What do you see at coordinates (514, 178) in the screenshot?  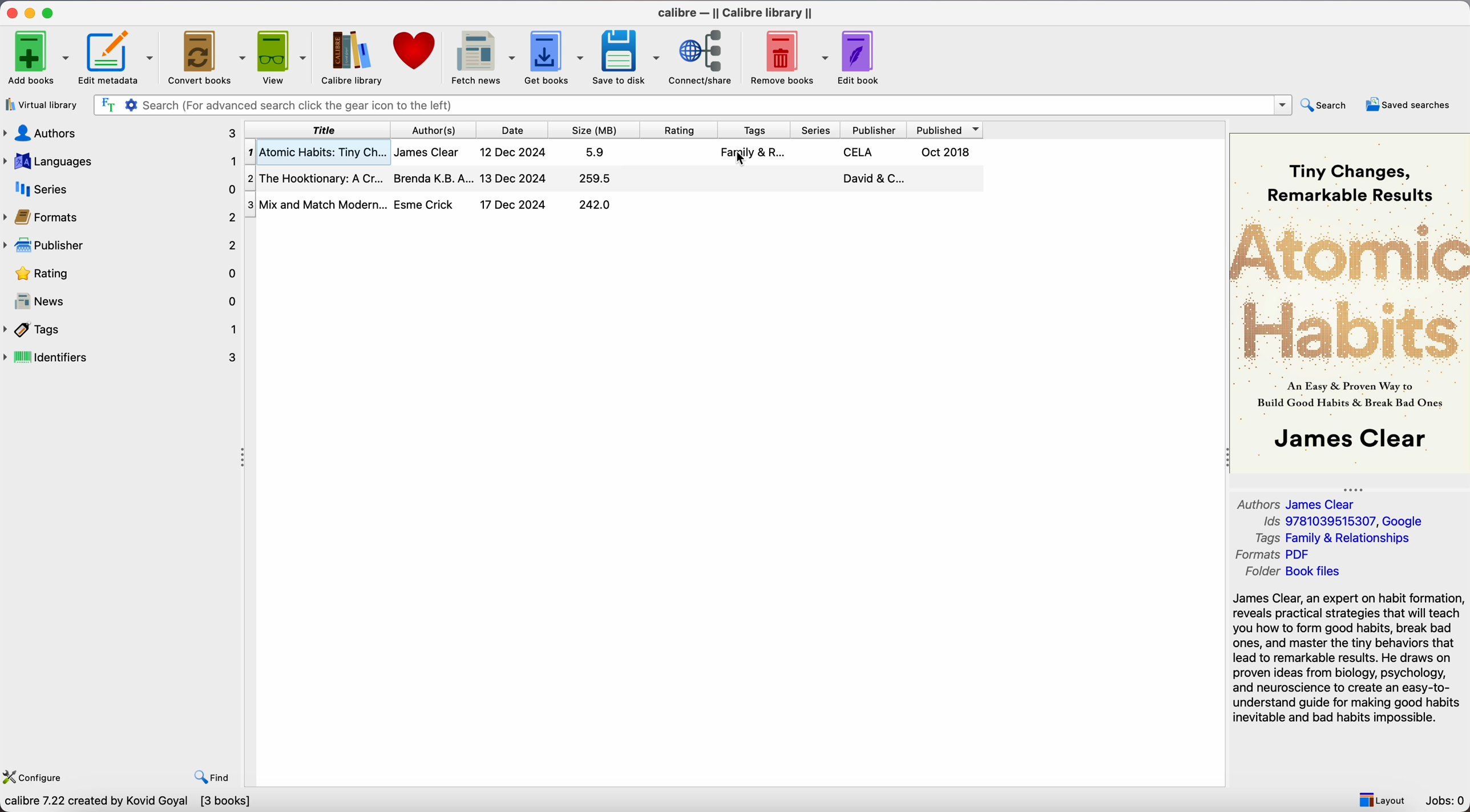 I see `13 Dec 2024` at bounding box center [514, 178].